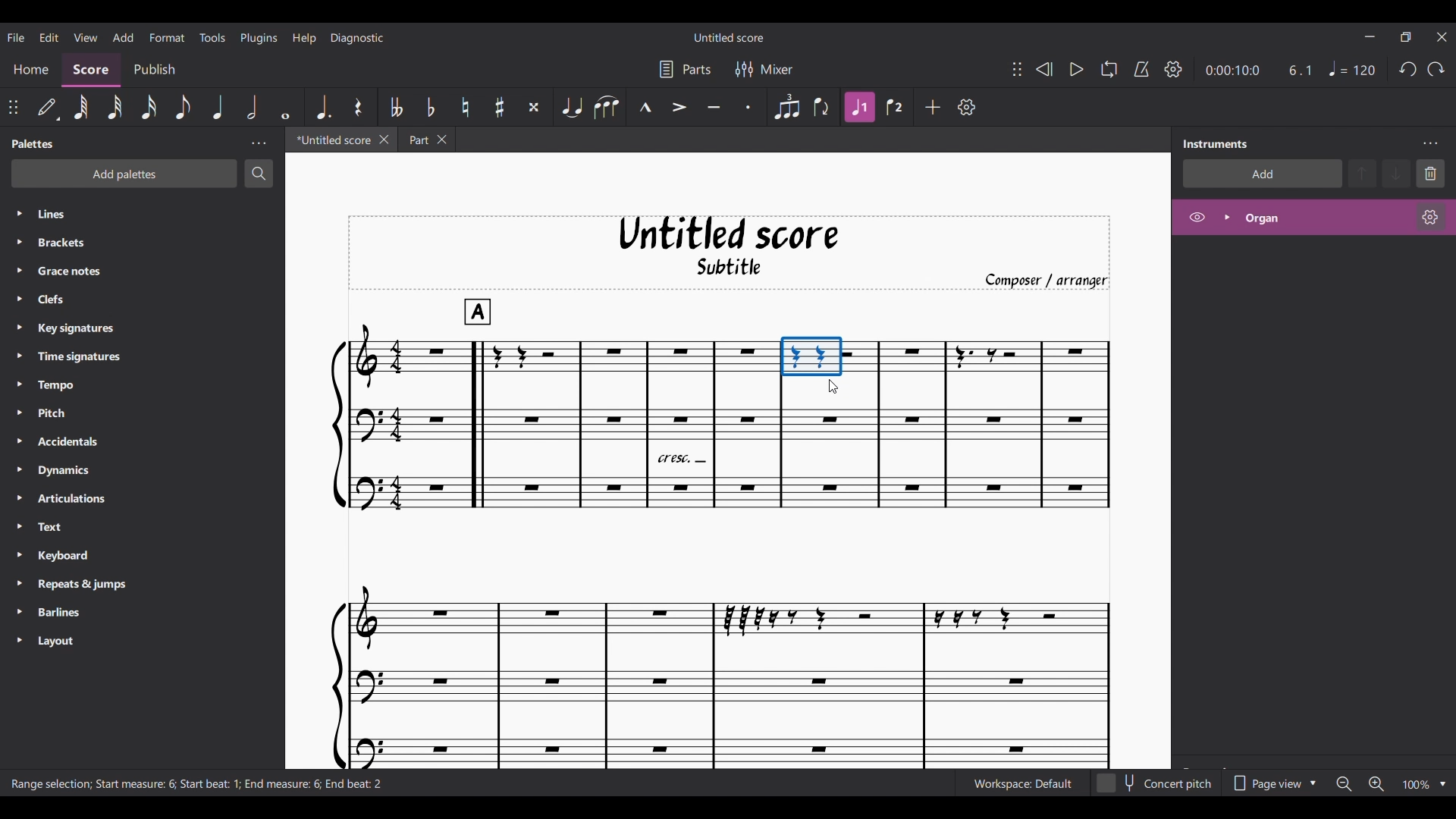  I want to click on , so click(833, 387).